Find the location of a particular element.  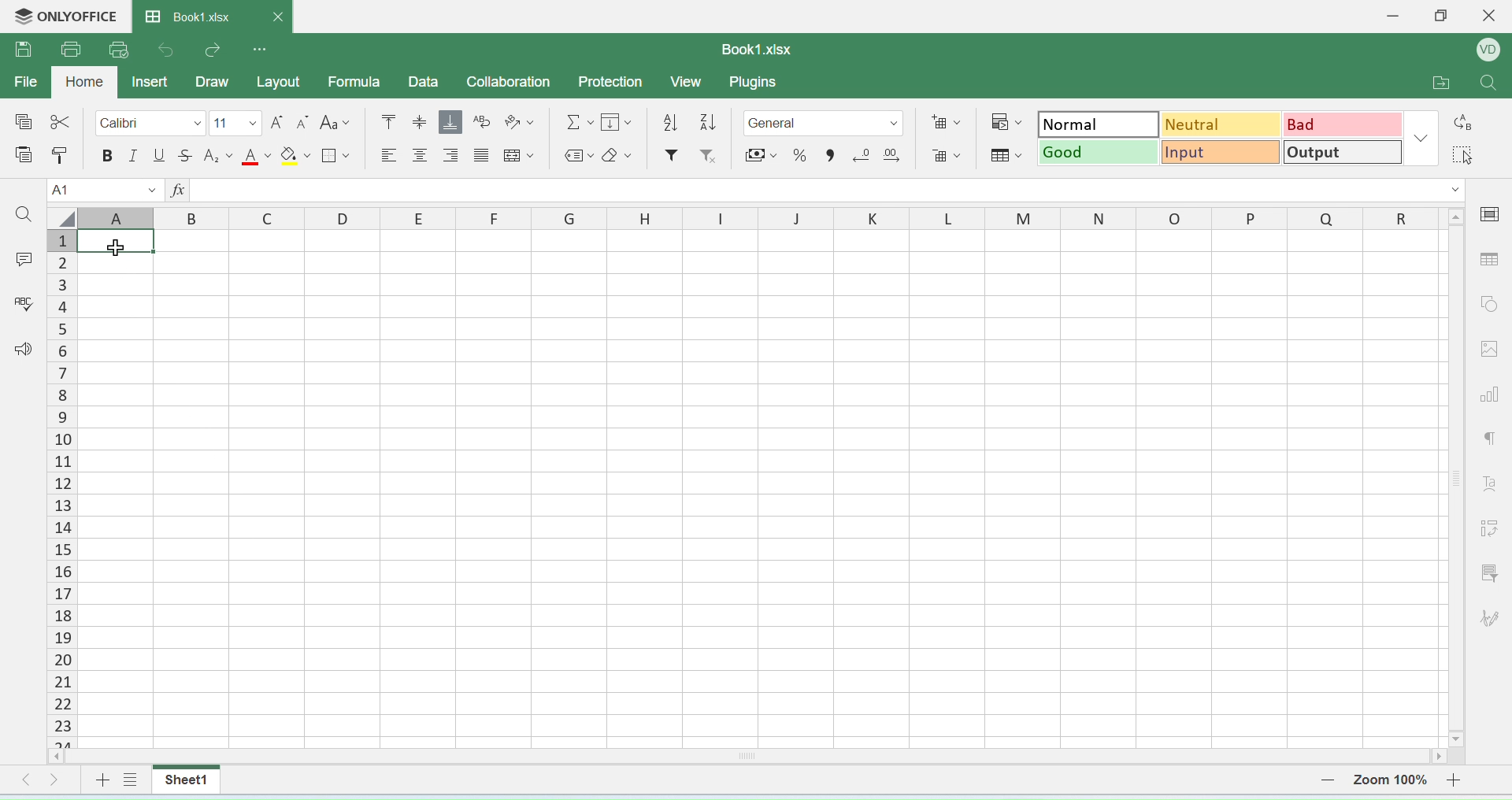

 is located at coordinates (306, 121).